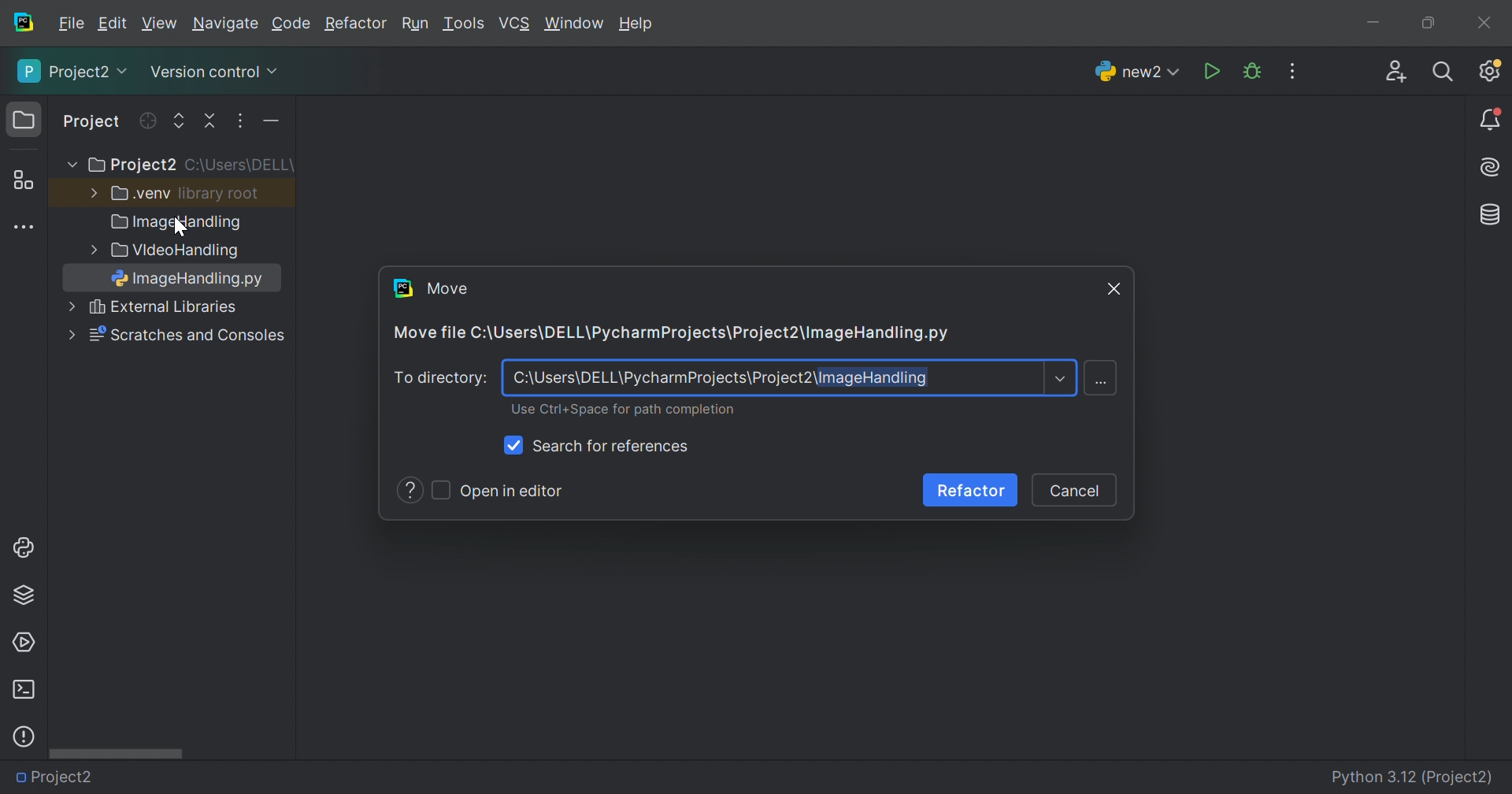 The height and width of the screenshot is (794, 1512). Describe the element at coordinates (180, 309) in the screenshot. I see `VideiHandling.py` at that location.